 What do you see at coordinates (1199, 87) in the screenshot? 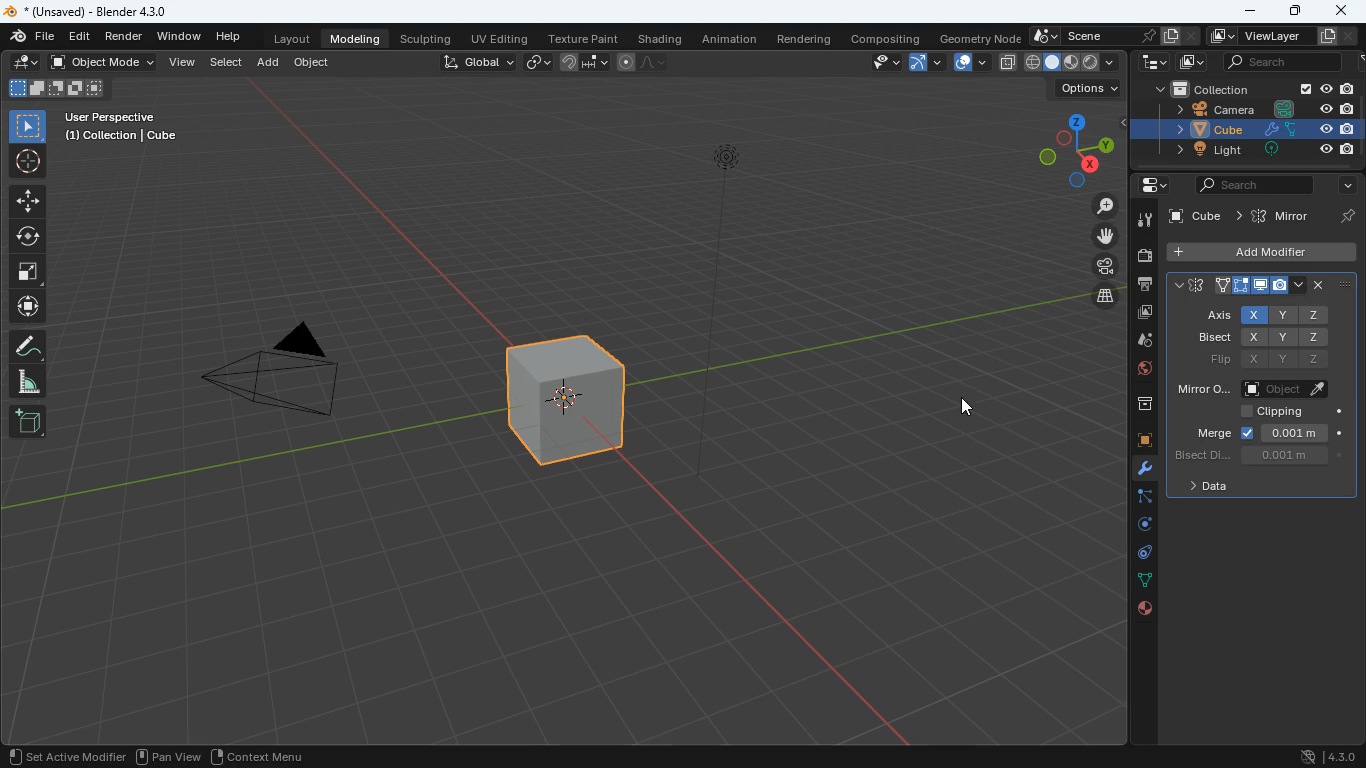
I see `collection` at bounding box center [1199, 87].